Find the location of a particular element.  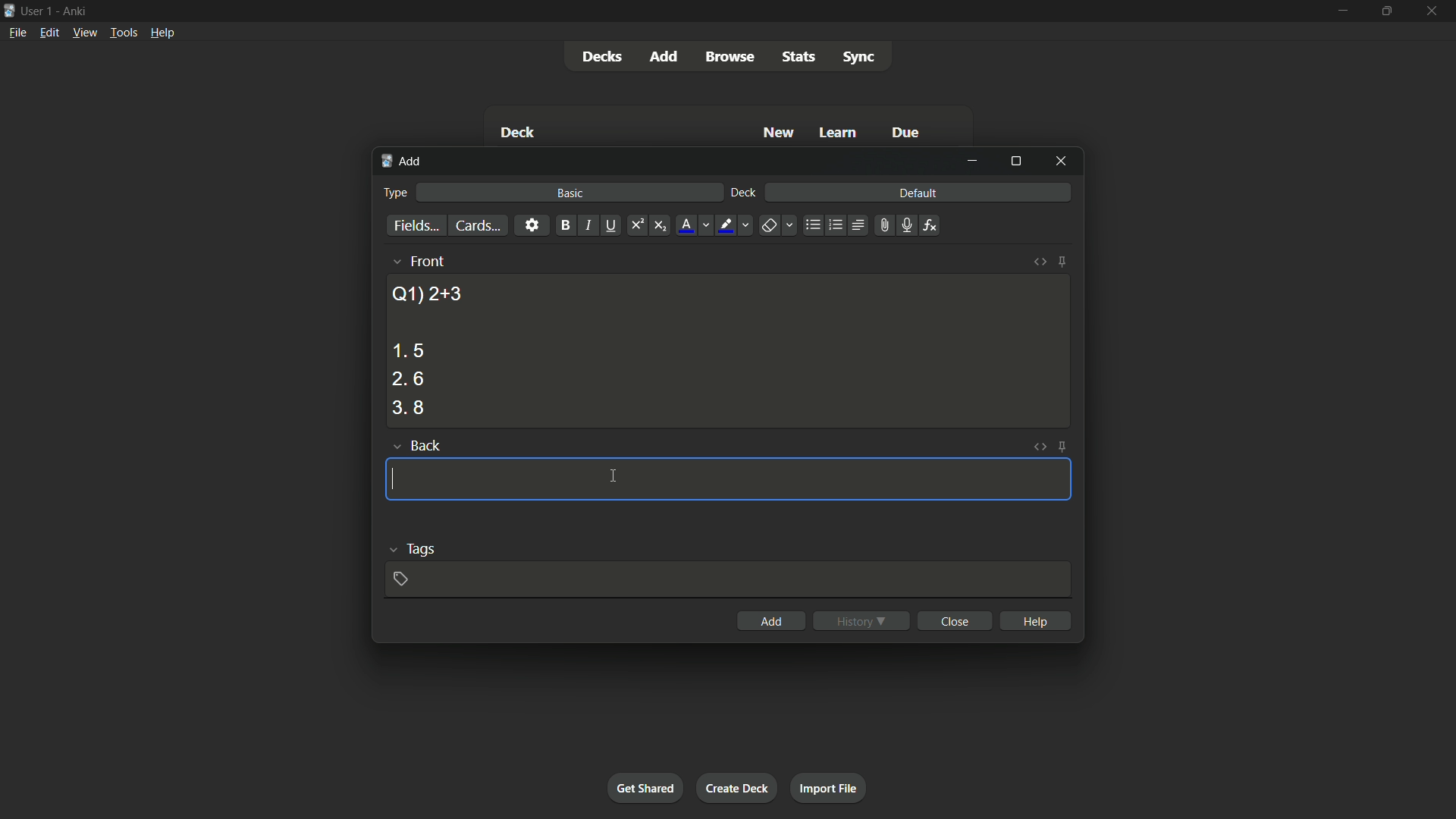

unordered list is located at coordinates (812, 225).